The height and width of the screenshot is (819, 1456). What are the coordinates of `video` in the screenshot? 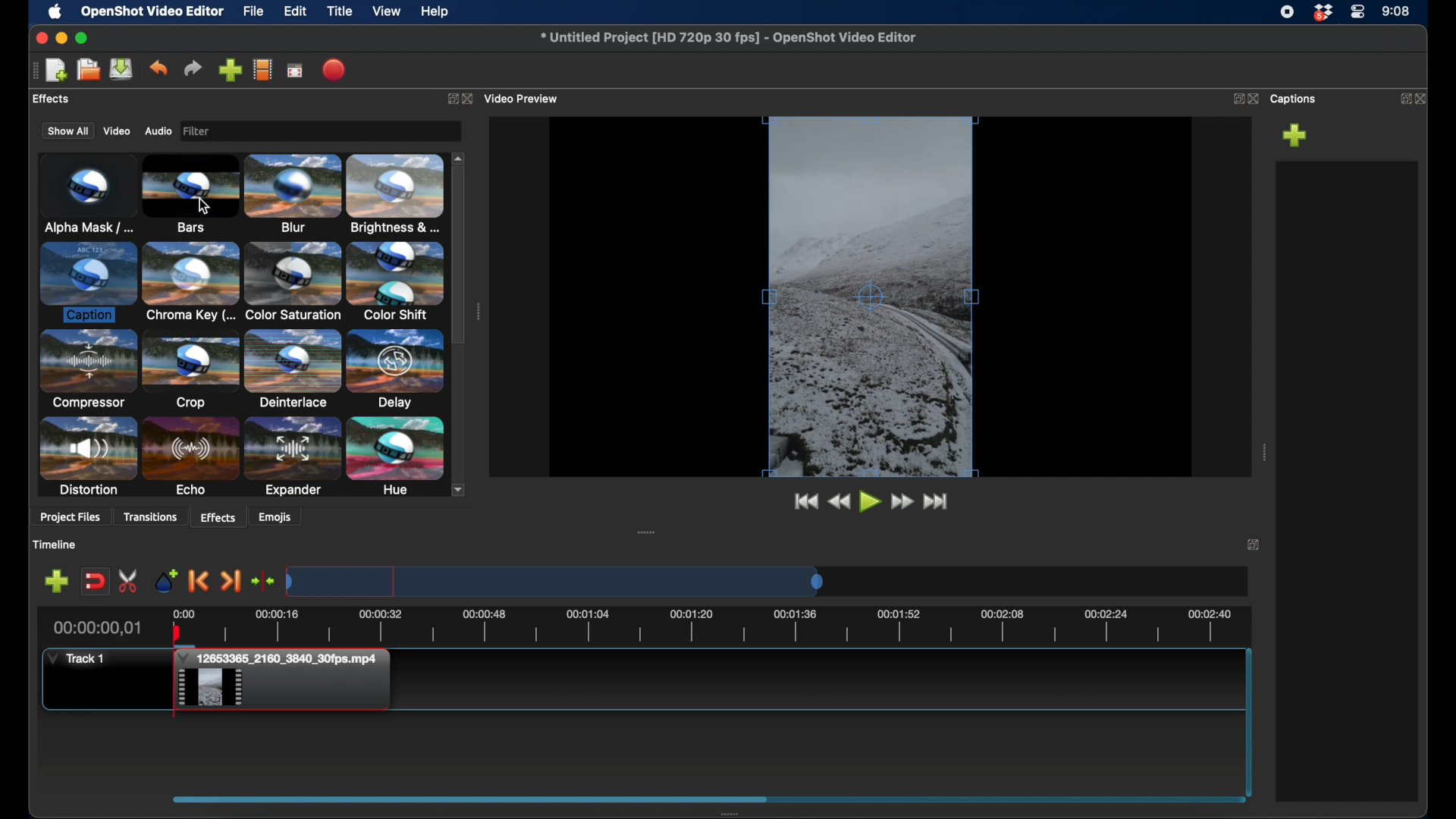 It's located at (117, 131).